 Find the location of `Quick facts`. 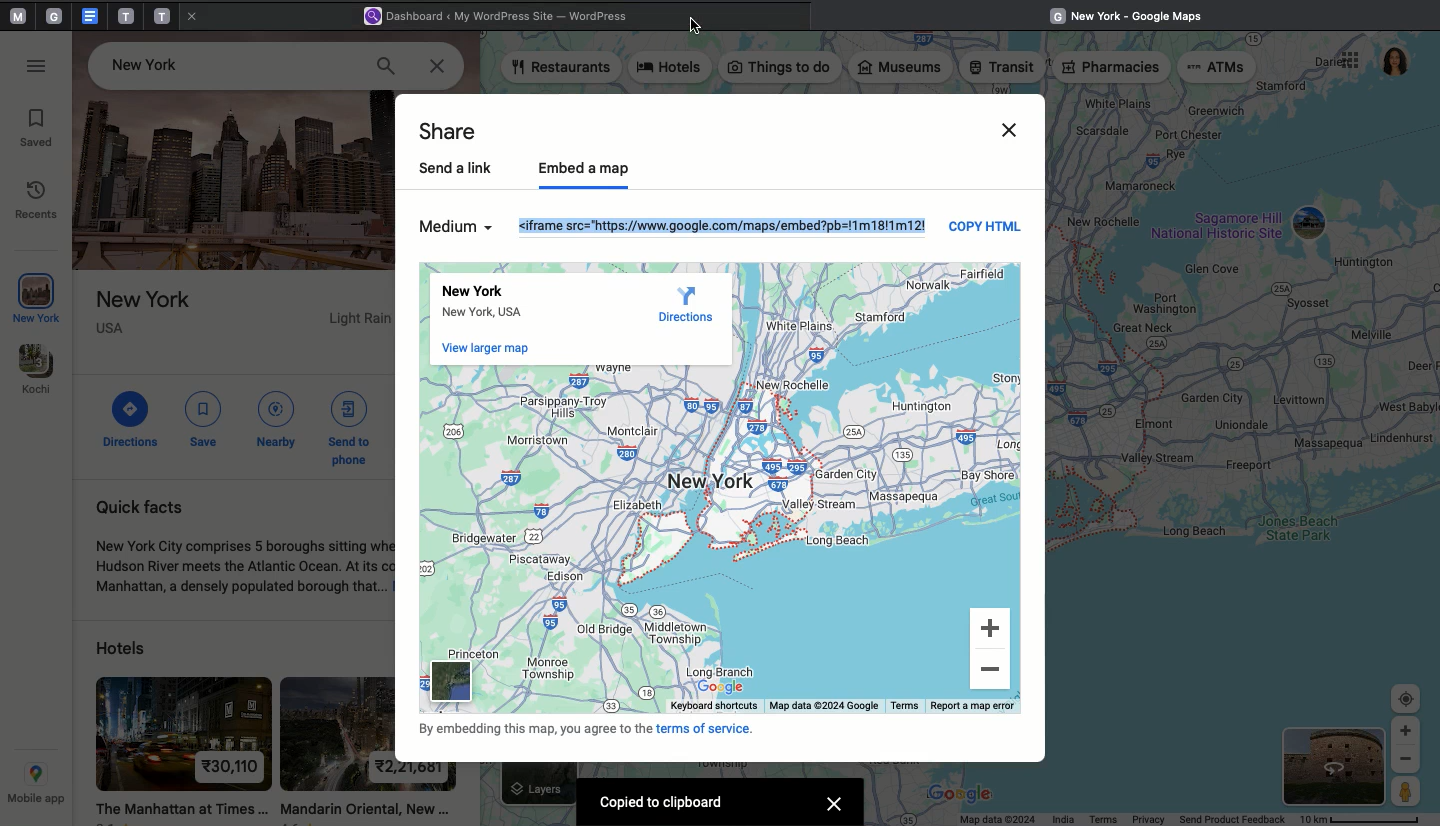

Quick facts is located at coordinates (243, 548).